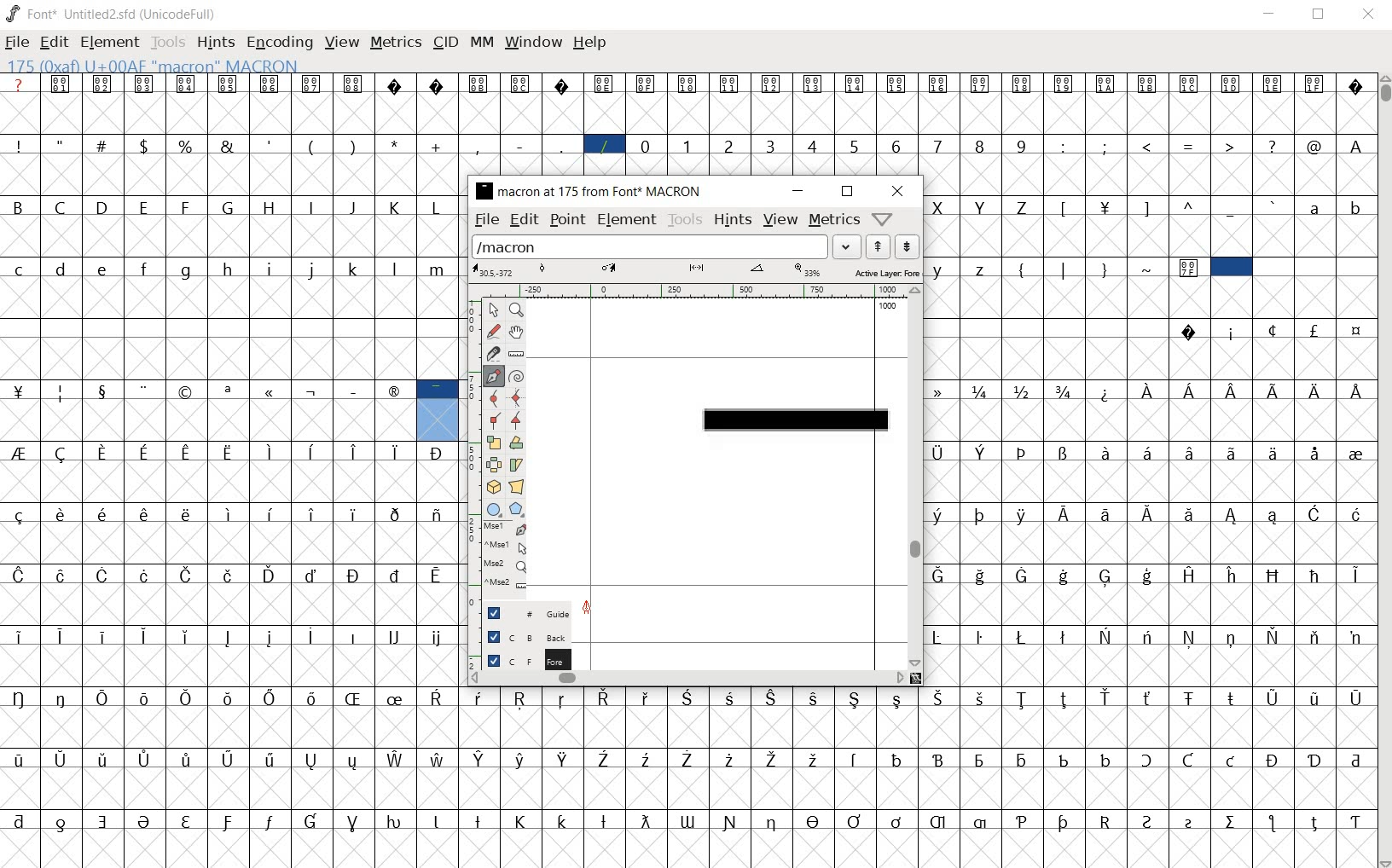 Image resolution: width=1392 pixels, height=868 pixels. What do you see at coordinates (189, 698) in the screenshot?
I see `Symbol` at bounding box center [189, 698].